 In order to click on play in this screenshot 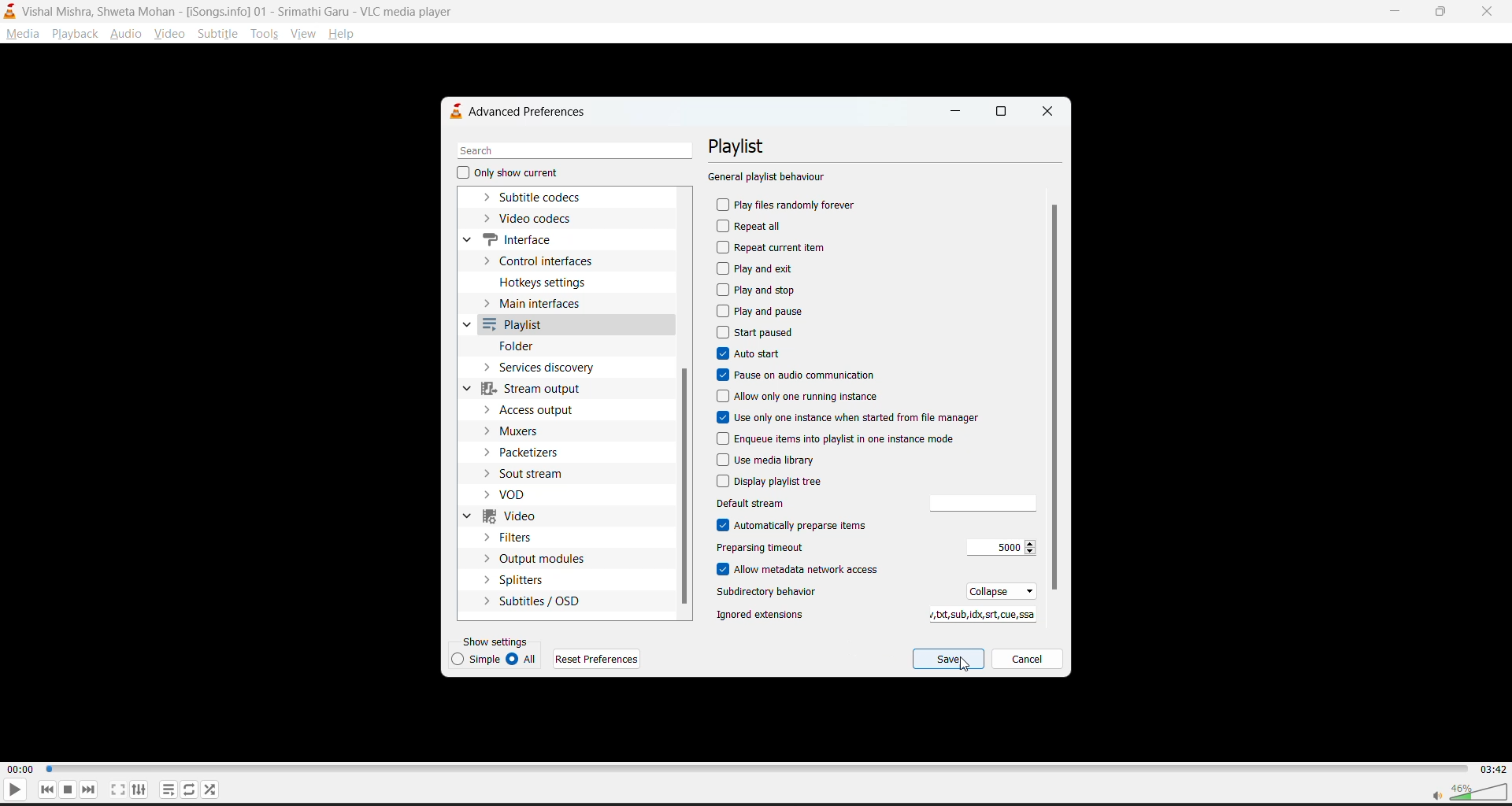, I will do `click(13, 792)`.